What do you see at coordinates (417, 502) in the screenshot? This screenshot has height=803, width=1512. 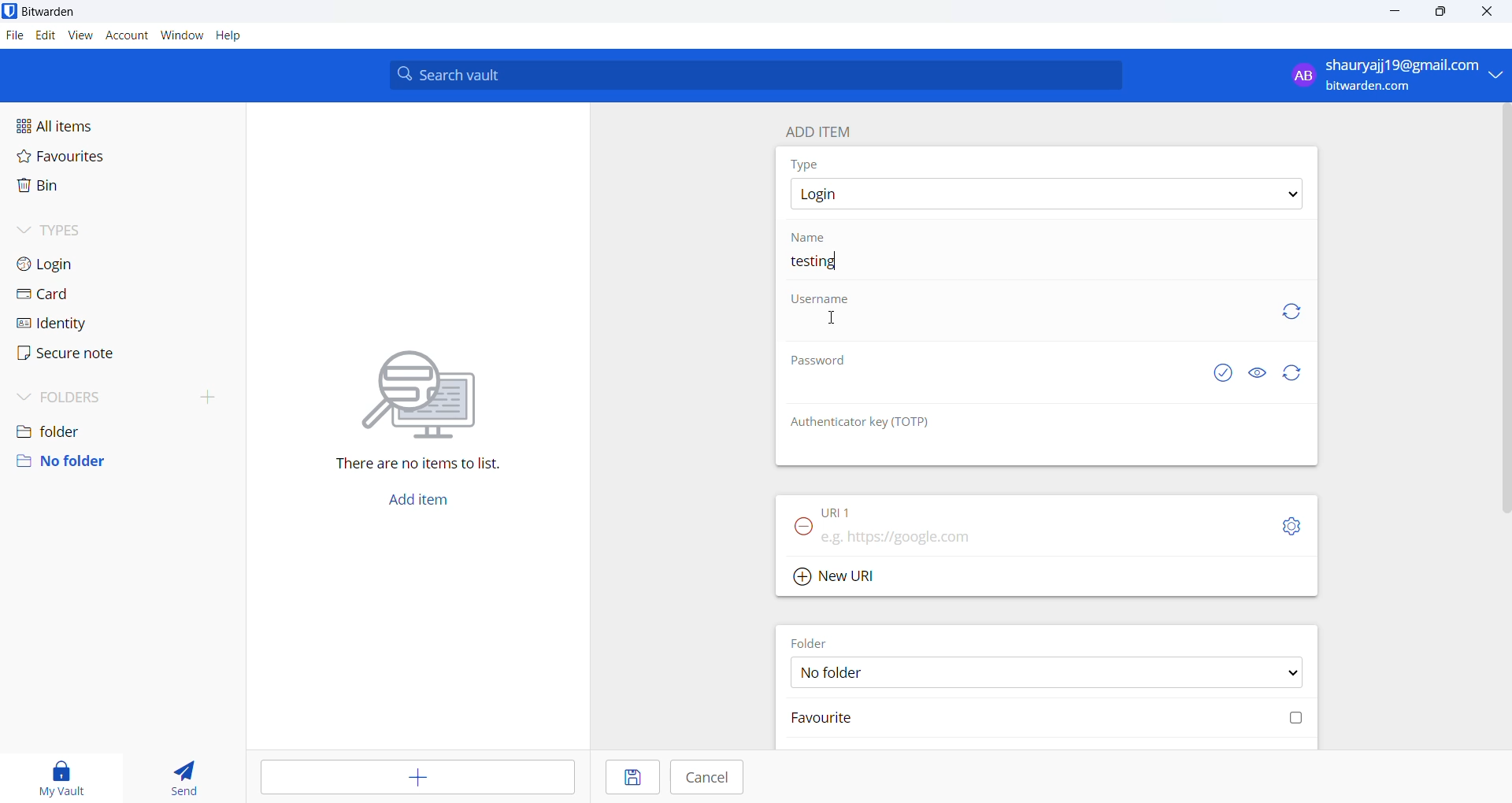 I see `add button` at bounding box center [417, 502].